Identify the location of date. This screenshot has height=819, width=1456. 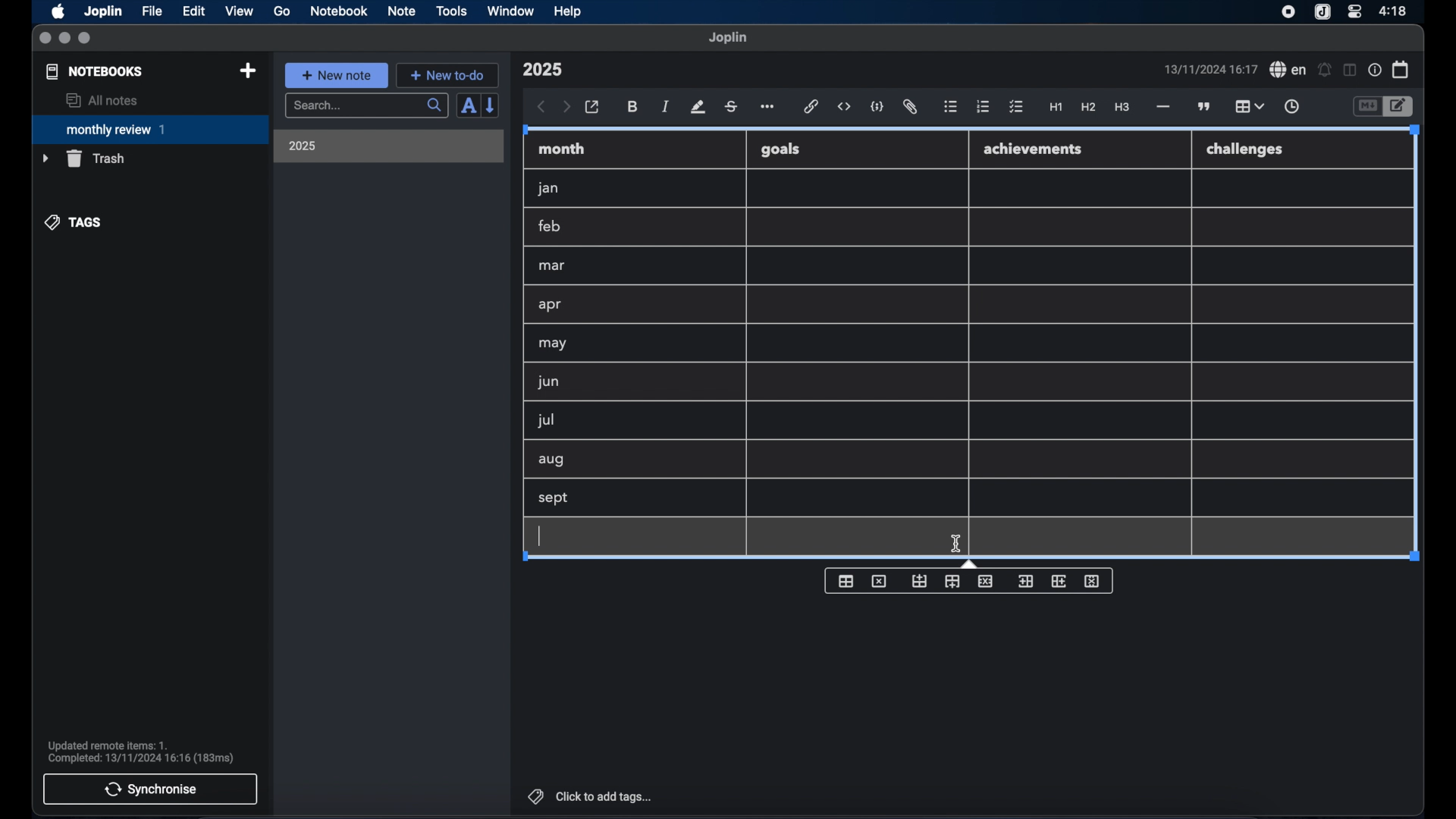
(1210, 69).